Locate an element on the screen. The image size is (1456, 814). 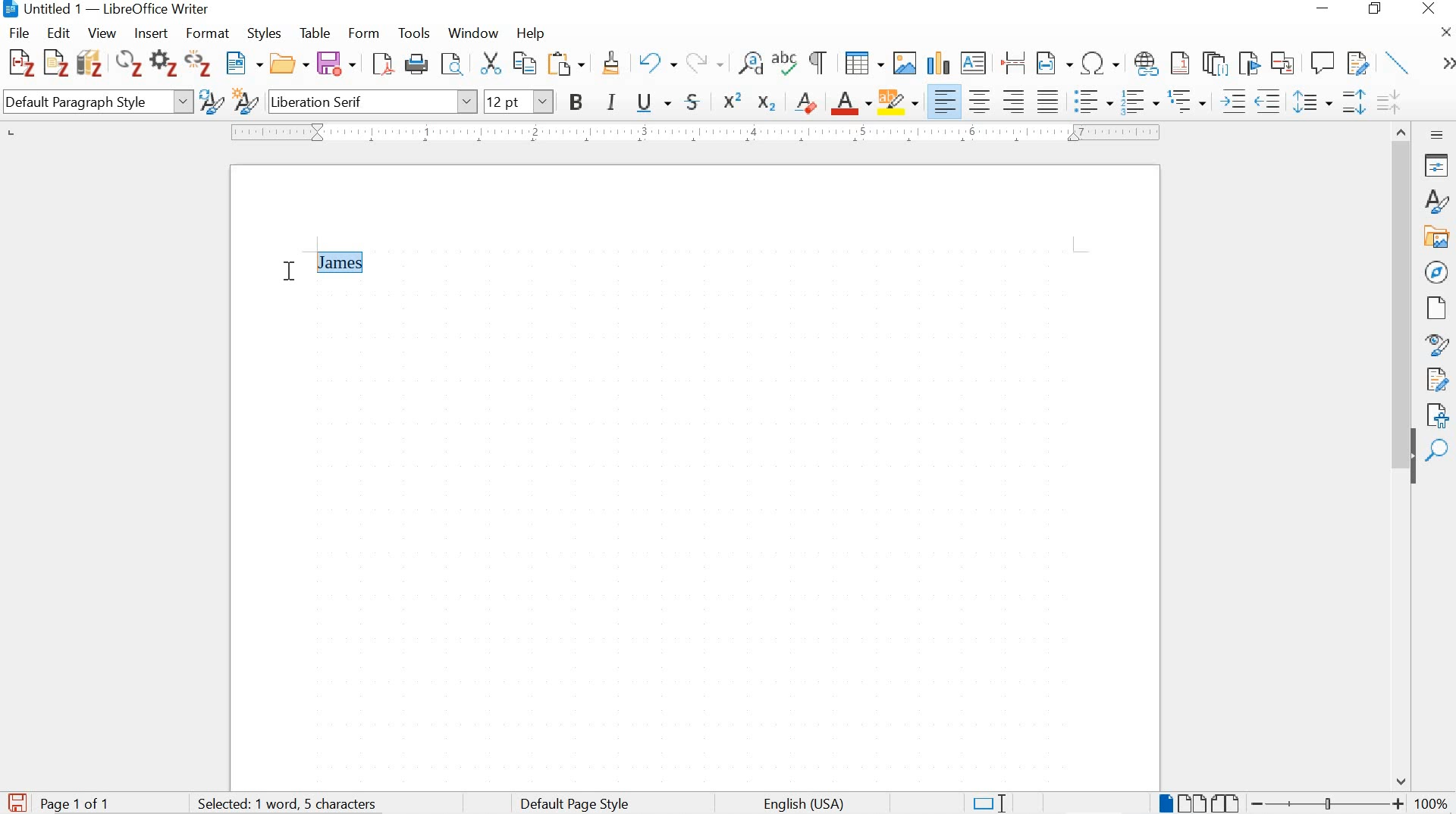
gallery is located at coordinates (1438, 236).